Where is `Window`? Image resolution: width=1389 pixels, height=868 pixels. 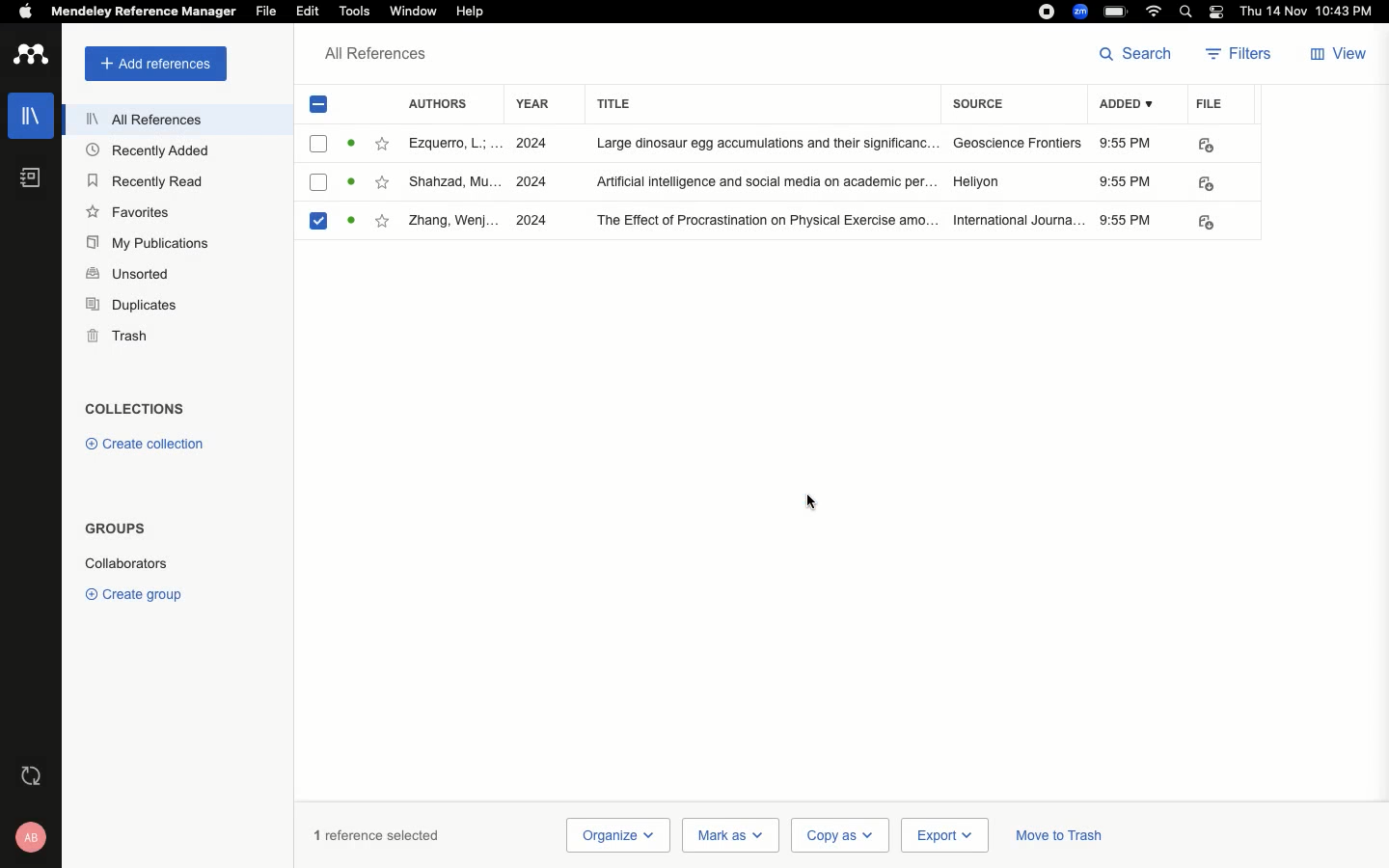 Window is located at coordinates (413, 12).